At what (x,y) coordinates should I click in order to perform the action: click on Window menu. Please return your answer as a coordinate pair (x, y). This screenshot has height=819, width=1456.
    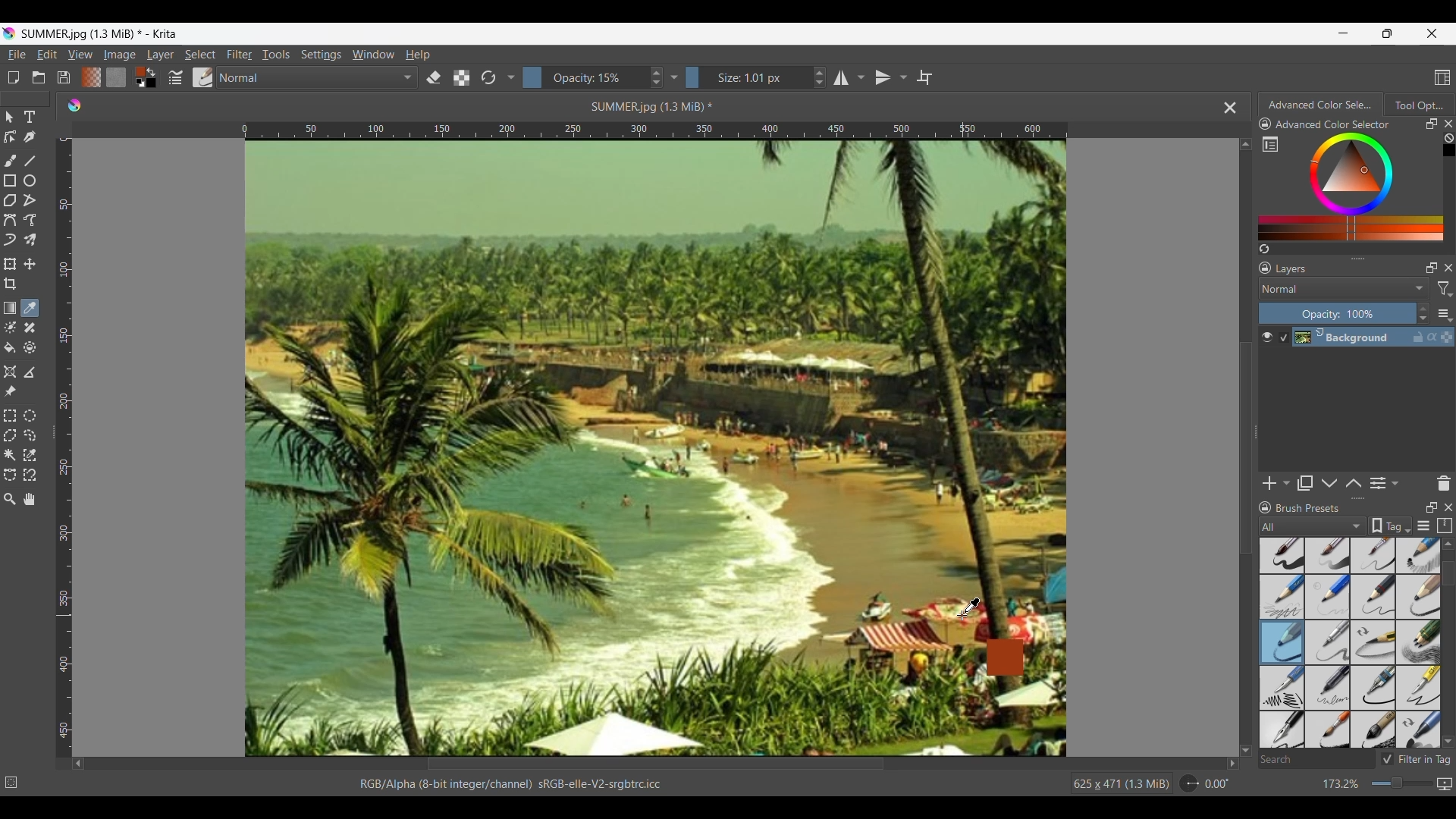
    Looking at the image, I should click on (372, 54).